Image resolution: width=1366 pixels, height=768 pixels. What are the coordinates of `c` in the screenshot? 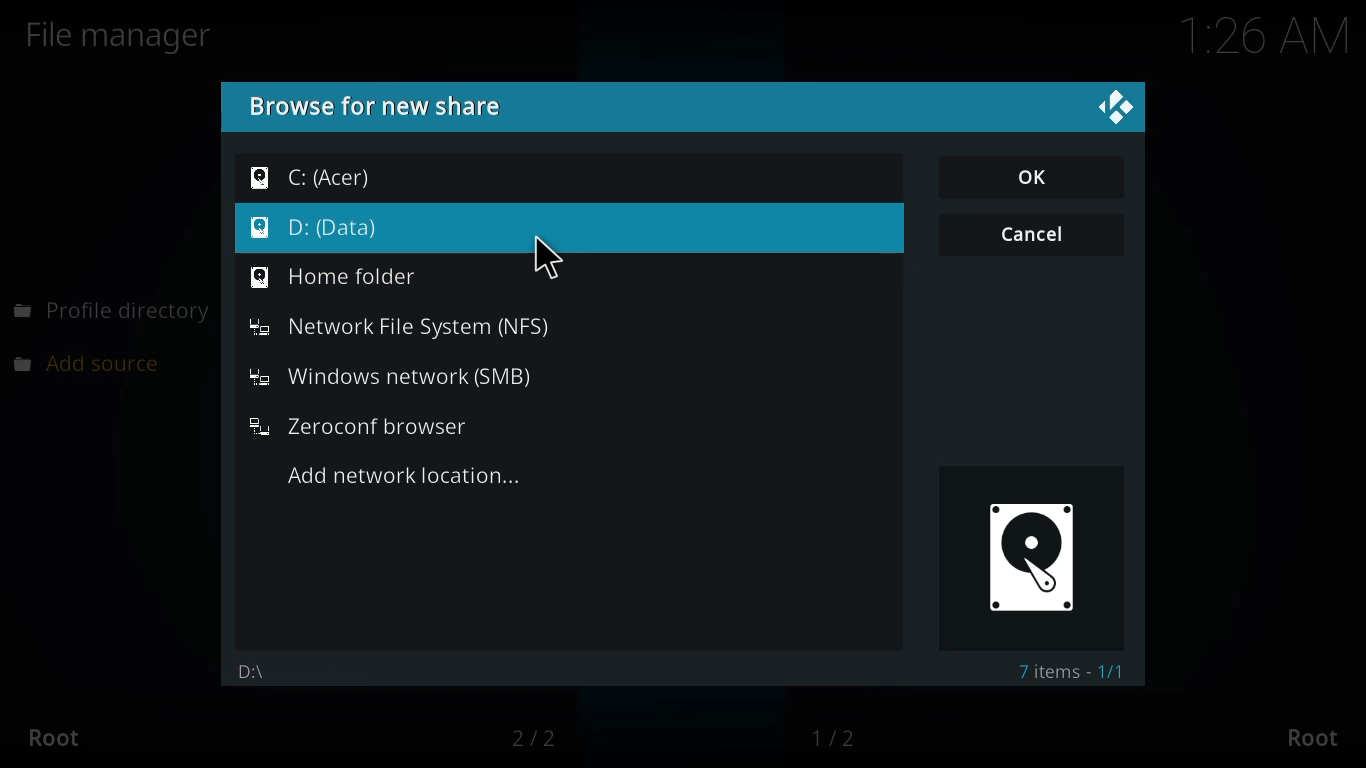 It's located at (312, 176).